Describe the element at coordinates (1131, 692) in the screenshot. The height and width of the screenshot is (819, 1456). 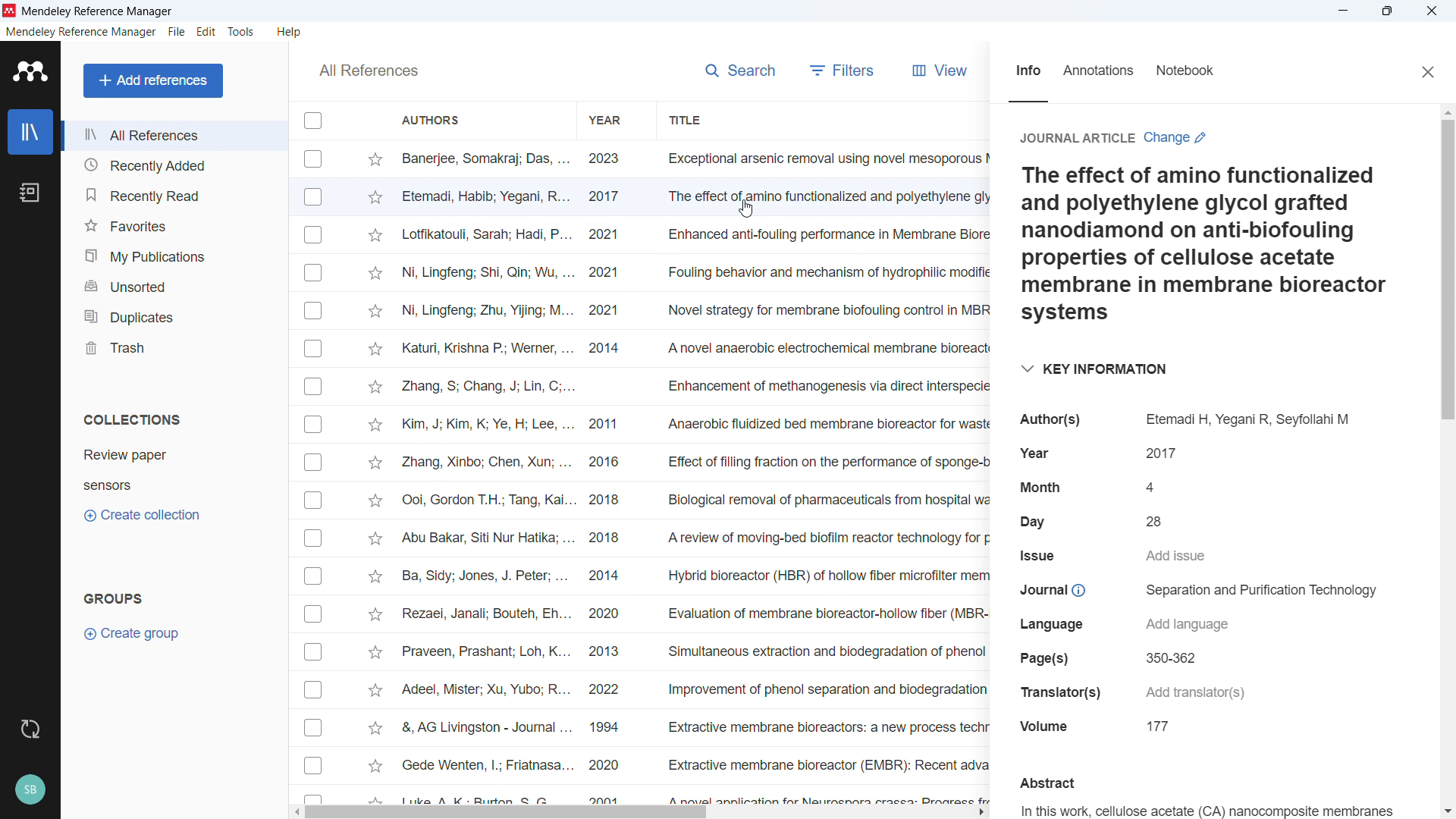
I see `Translators ` at that location.